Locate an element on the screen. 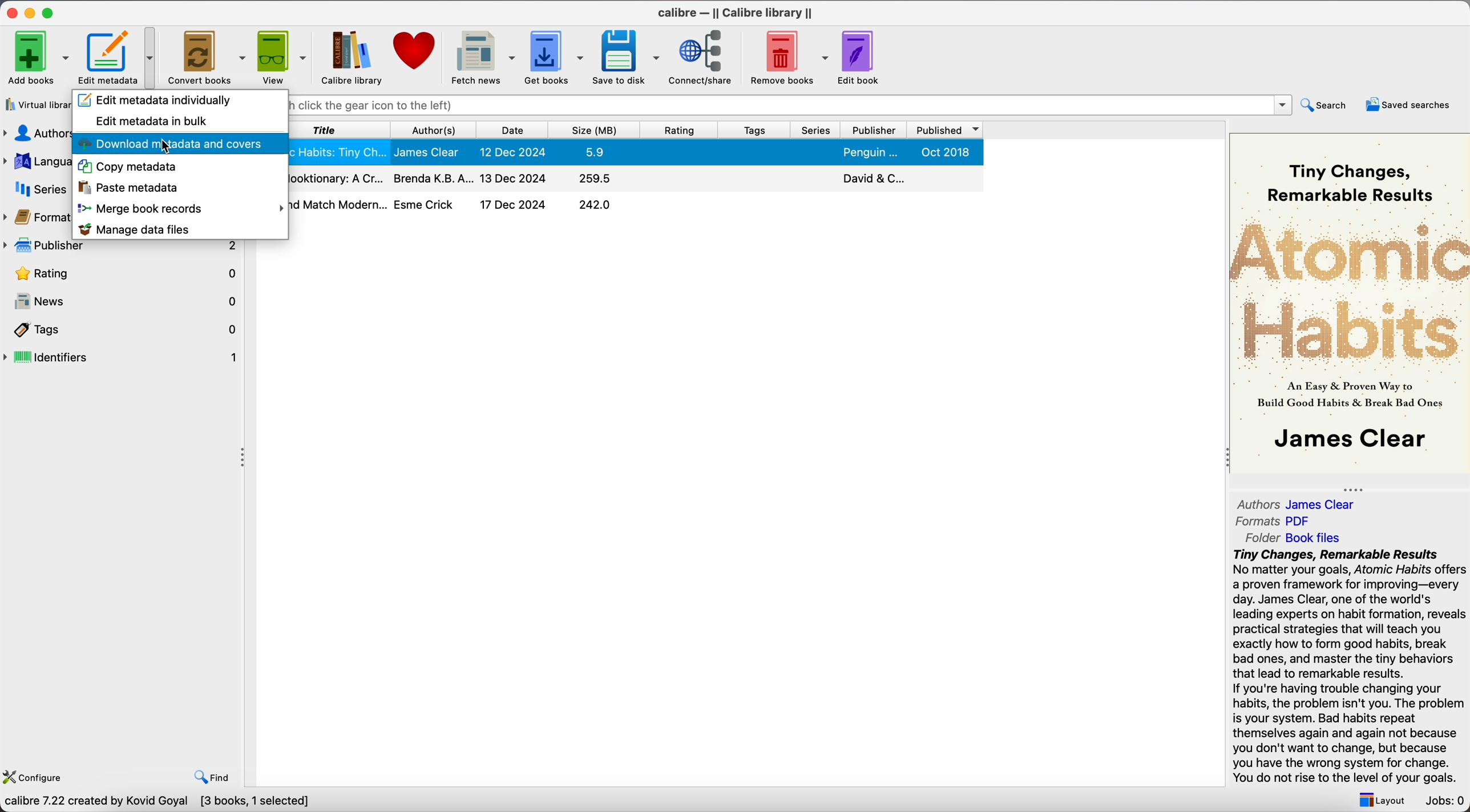  Oct 2018 is located at coordinates (945, 152).